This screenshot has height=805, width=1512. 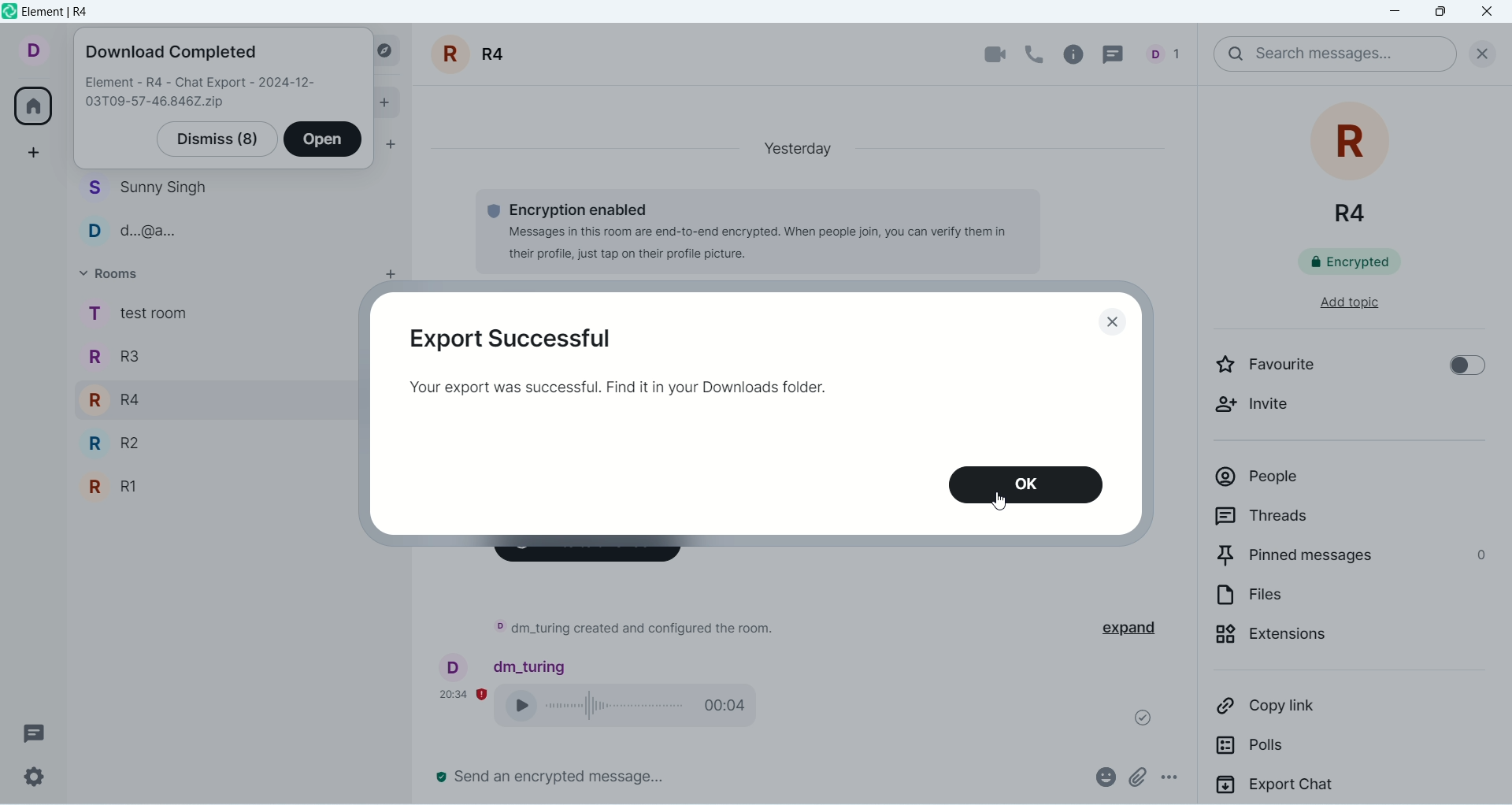 I want to click on search message, so click(x=1334, y=54).